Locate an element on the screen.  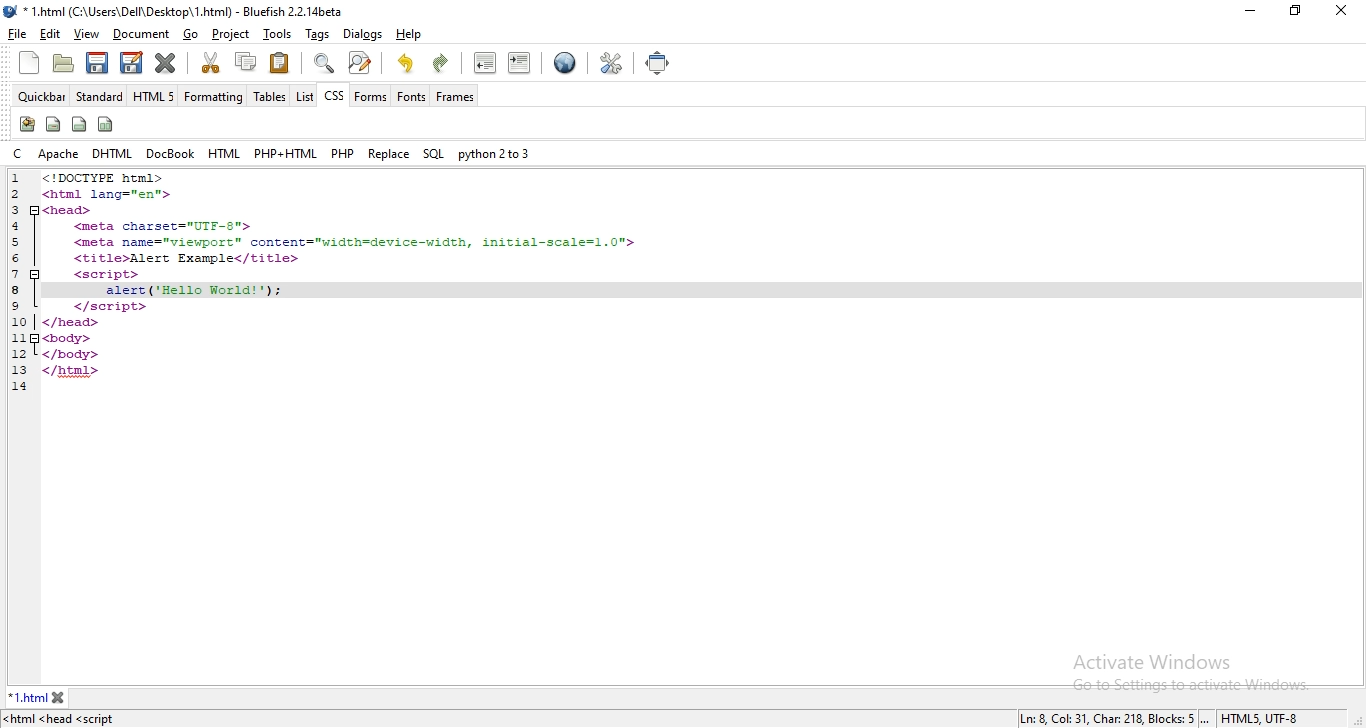
file is located at coordinates (19, 34).